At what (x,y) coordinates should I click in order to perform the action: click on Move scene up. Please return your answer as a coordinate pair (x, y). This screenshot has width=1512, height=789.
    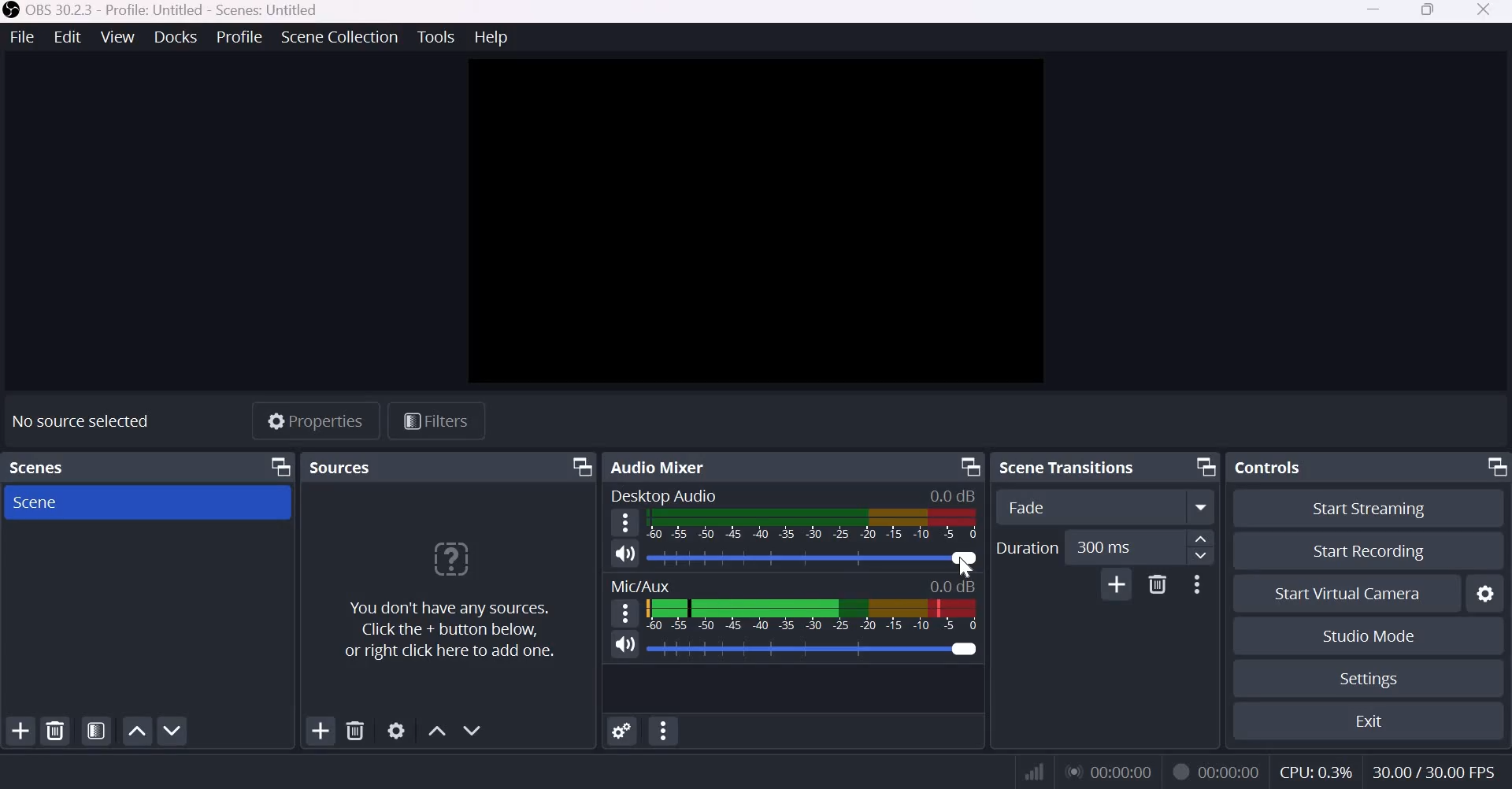
    Looking at the image, I should click on (137, 731).